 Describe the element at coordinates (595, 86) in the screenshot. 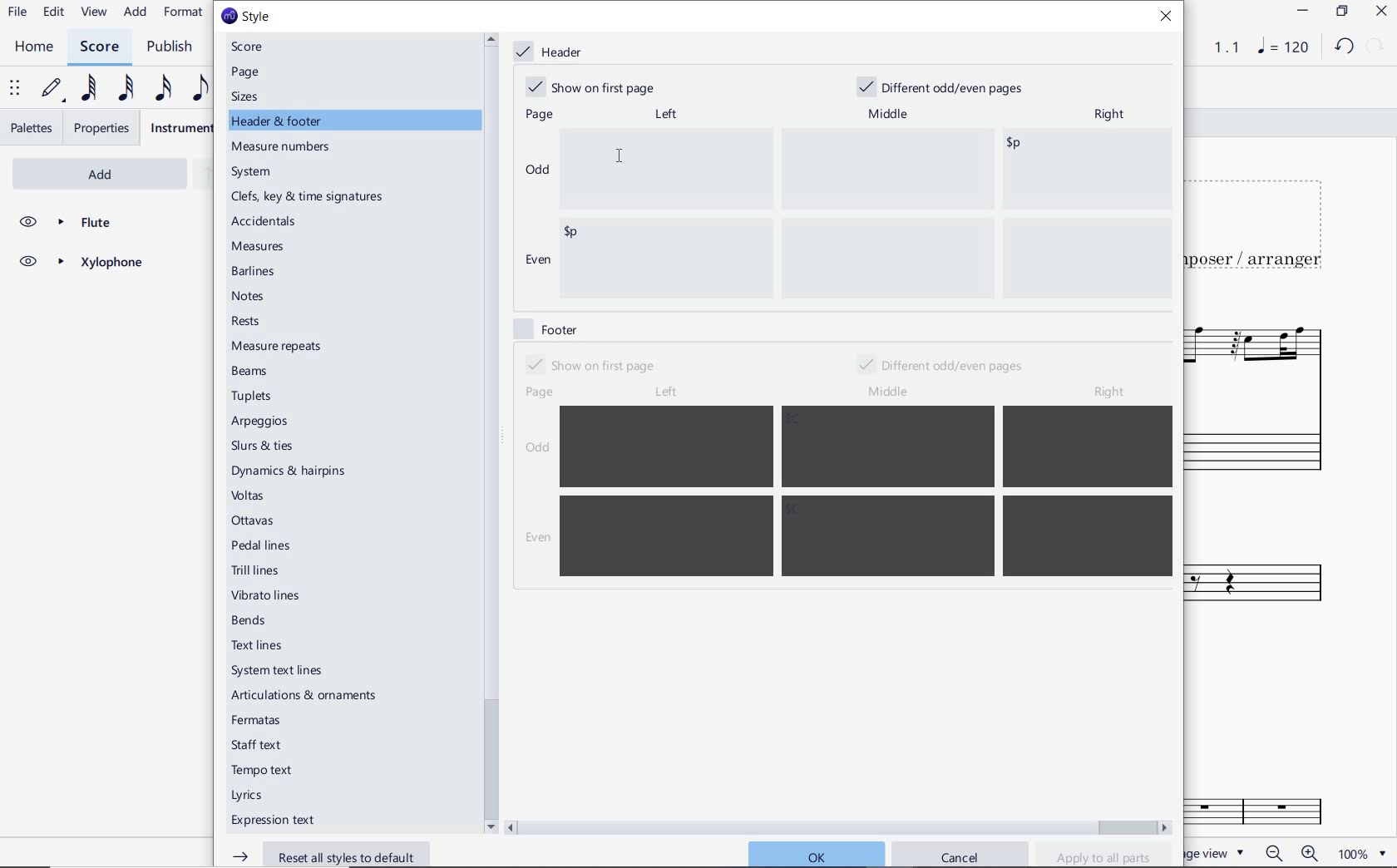

I see `show on first page` at that location.